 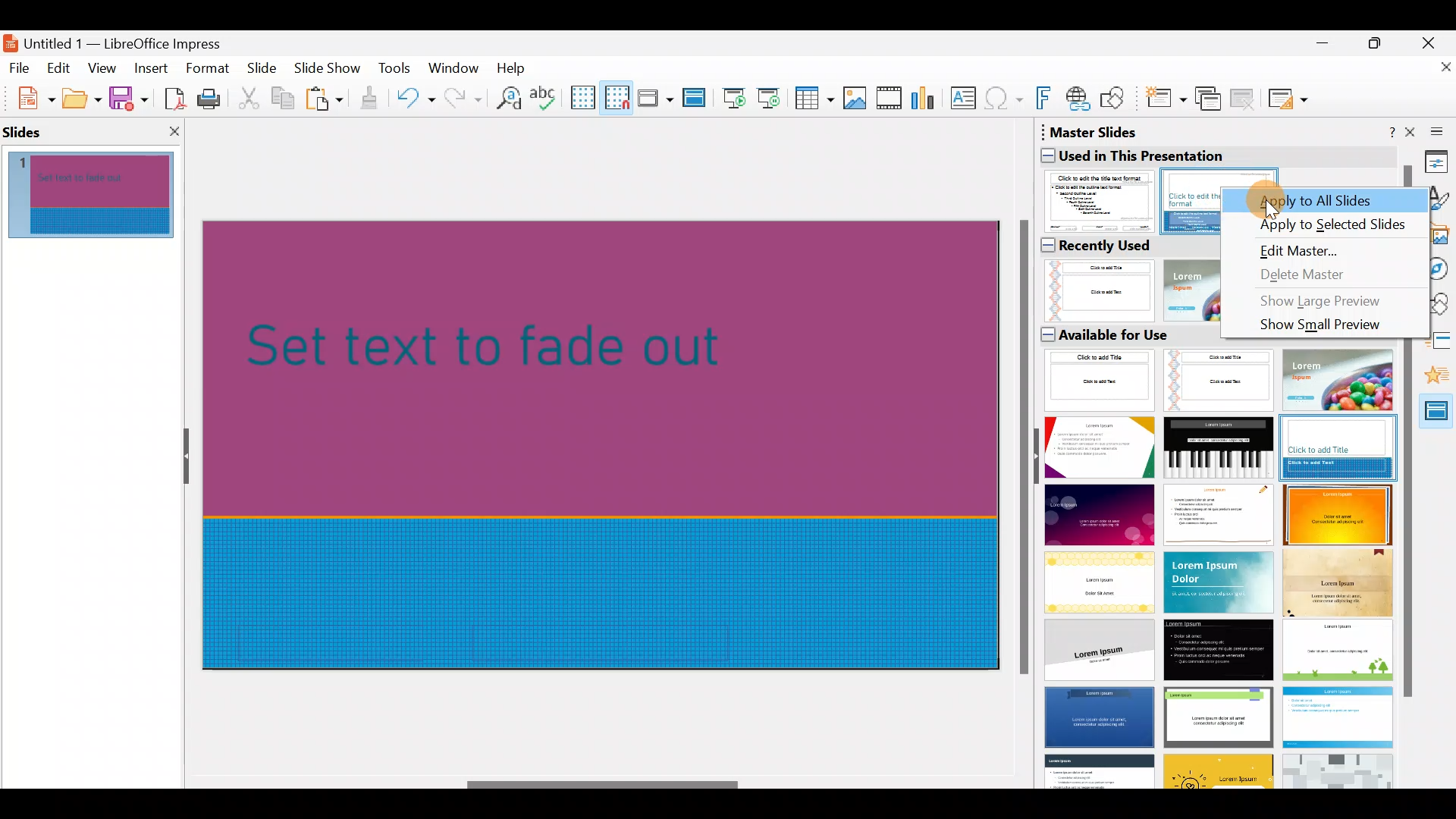 What do you see at coordinates (1434, 130) in the screenshot?
I see `Sidebar settings` at bounding box center [1434, 130].